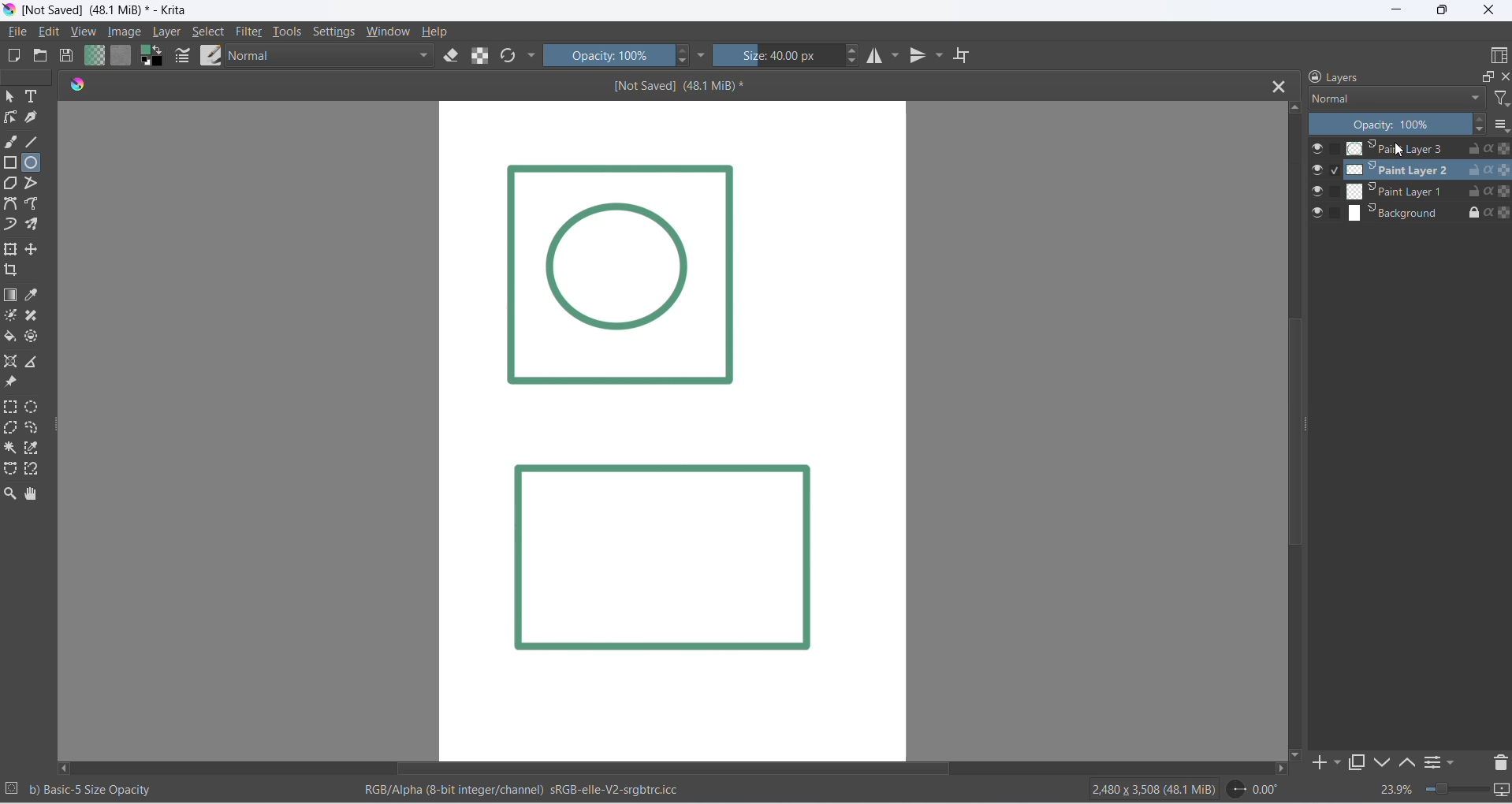  What do you see at coordinates (1296, 754) in the screenshot?
I see `move down ` at bounding box center [1296, 754].